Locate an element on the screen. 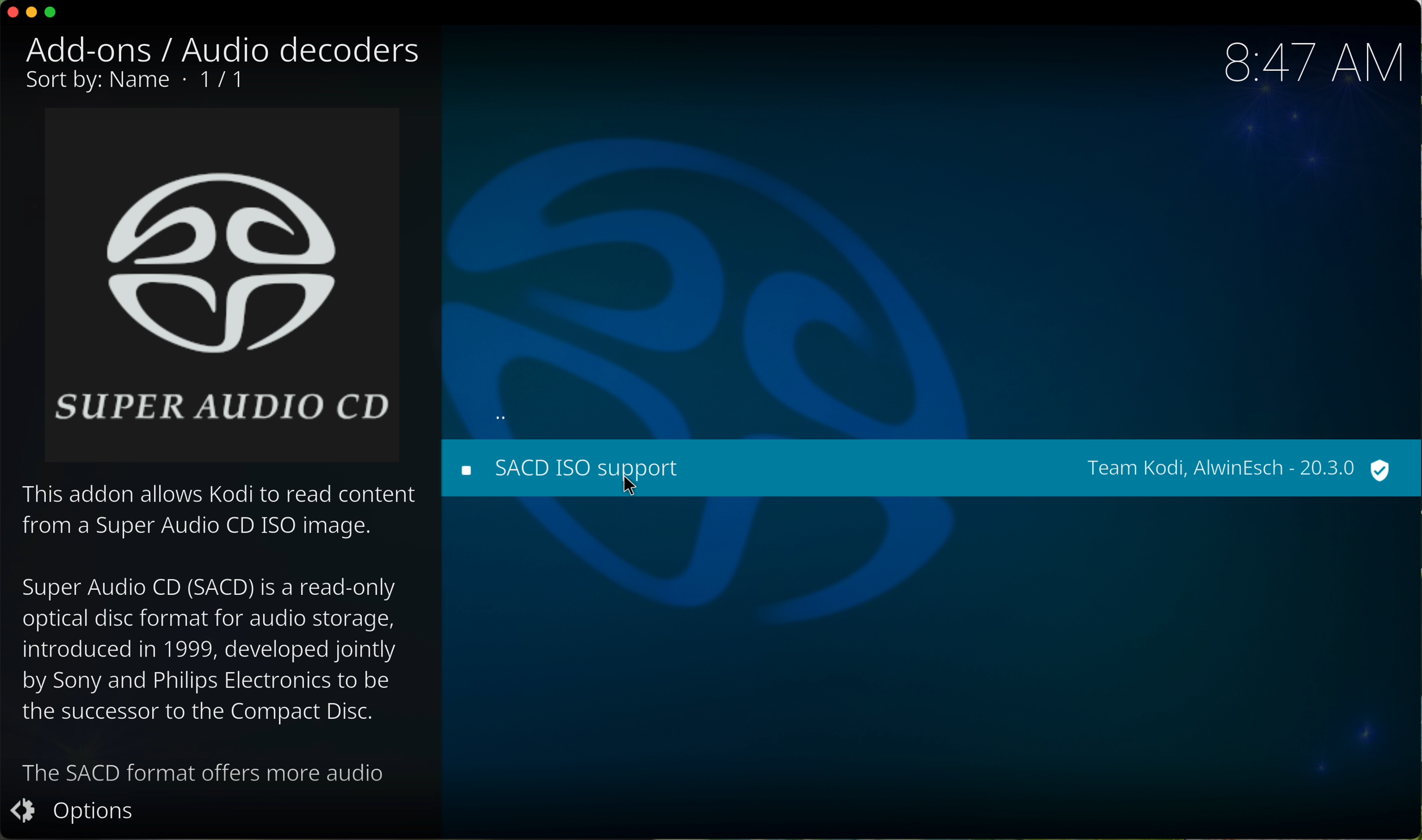  close program is located at coordinates (11, 13).